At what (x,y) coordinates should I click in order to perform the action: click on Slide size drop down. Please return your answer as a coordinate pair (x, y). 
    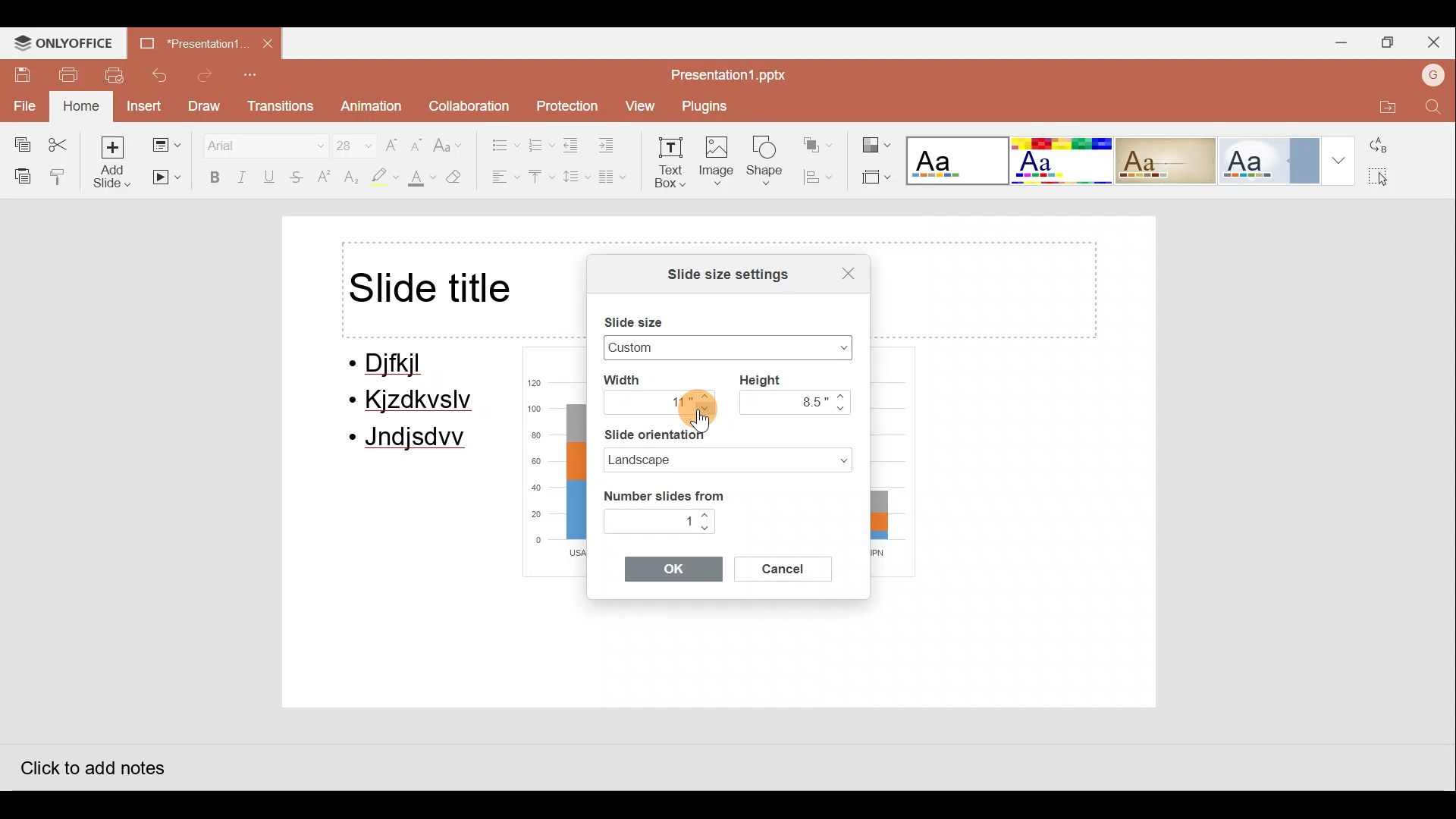
    Looking at the image, I should click on (823, 349).